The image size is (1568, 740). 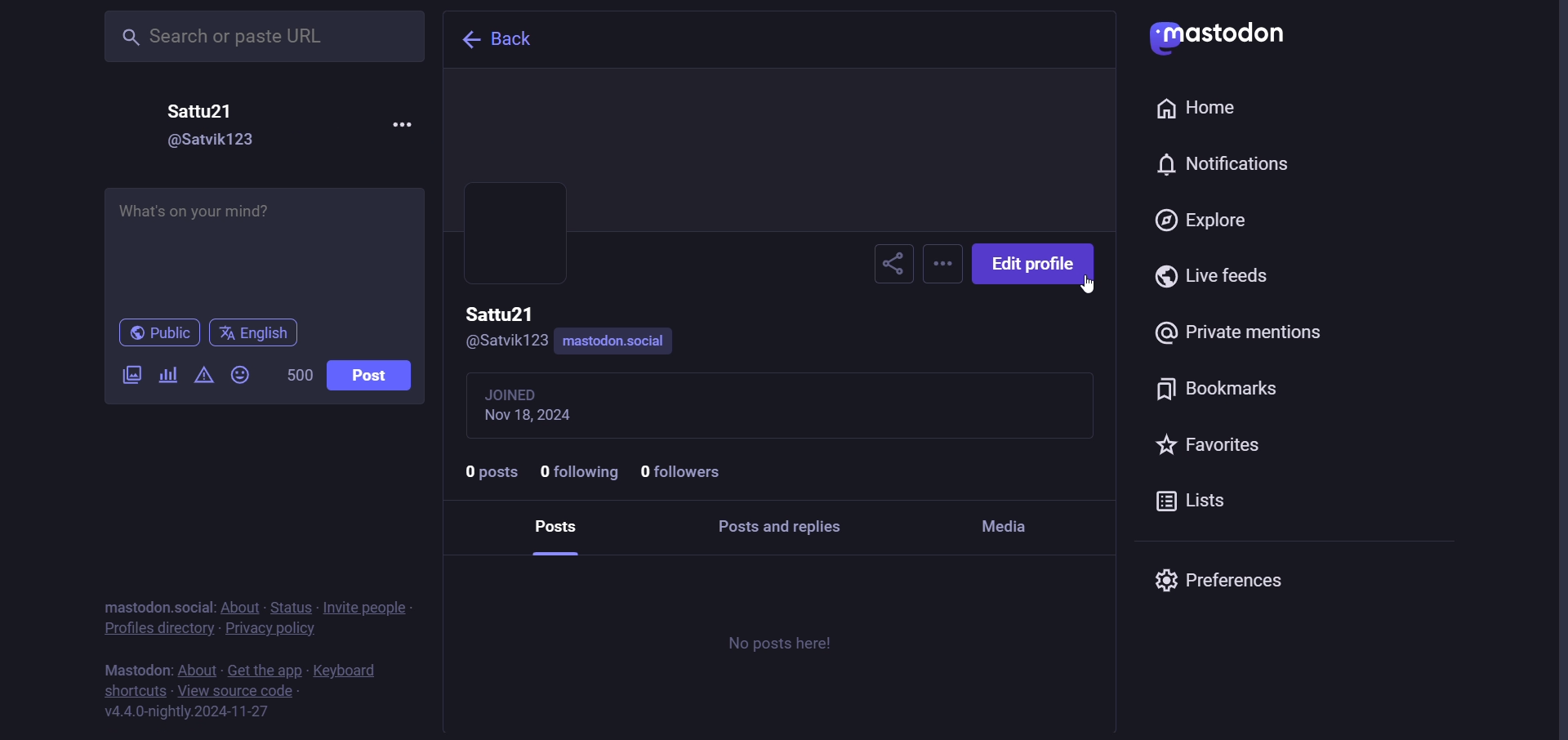 What do you see at coordinates (617, 342) in the screenshot?
I see `mastodon.social` at bounding box center [617, 342].